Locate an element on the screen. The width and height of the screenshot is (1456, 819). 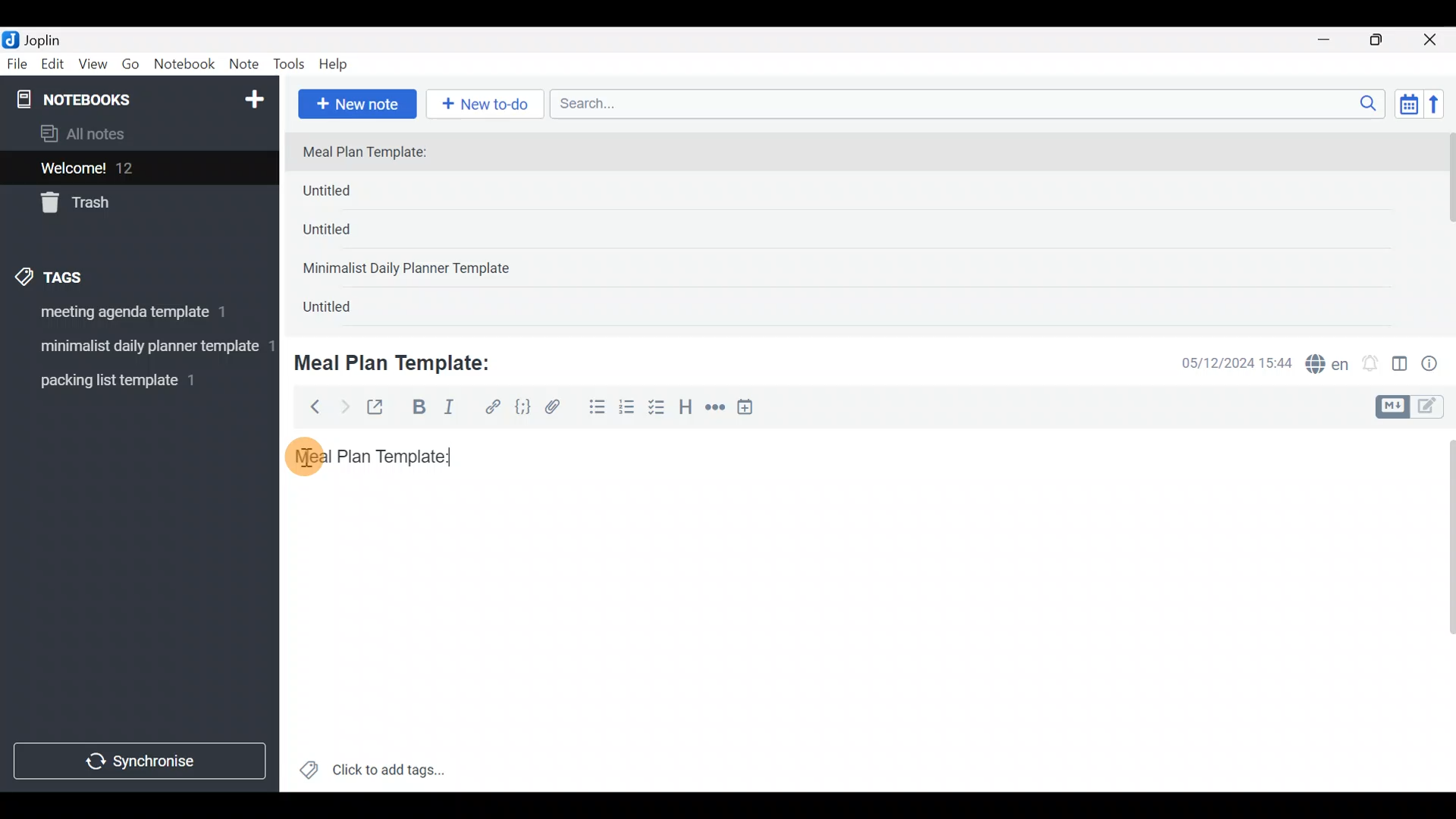
Toggle external editing is located at coordinates (381, 408).